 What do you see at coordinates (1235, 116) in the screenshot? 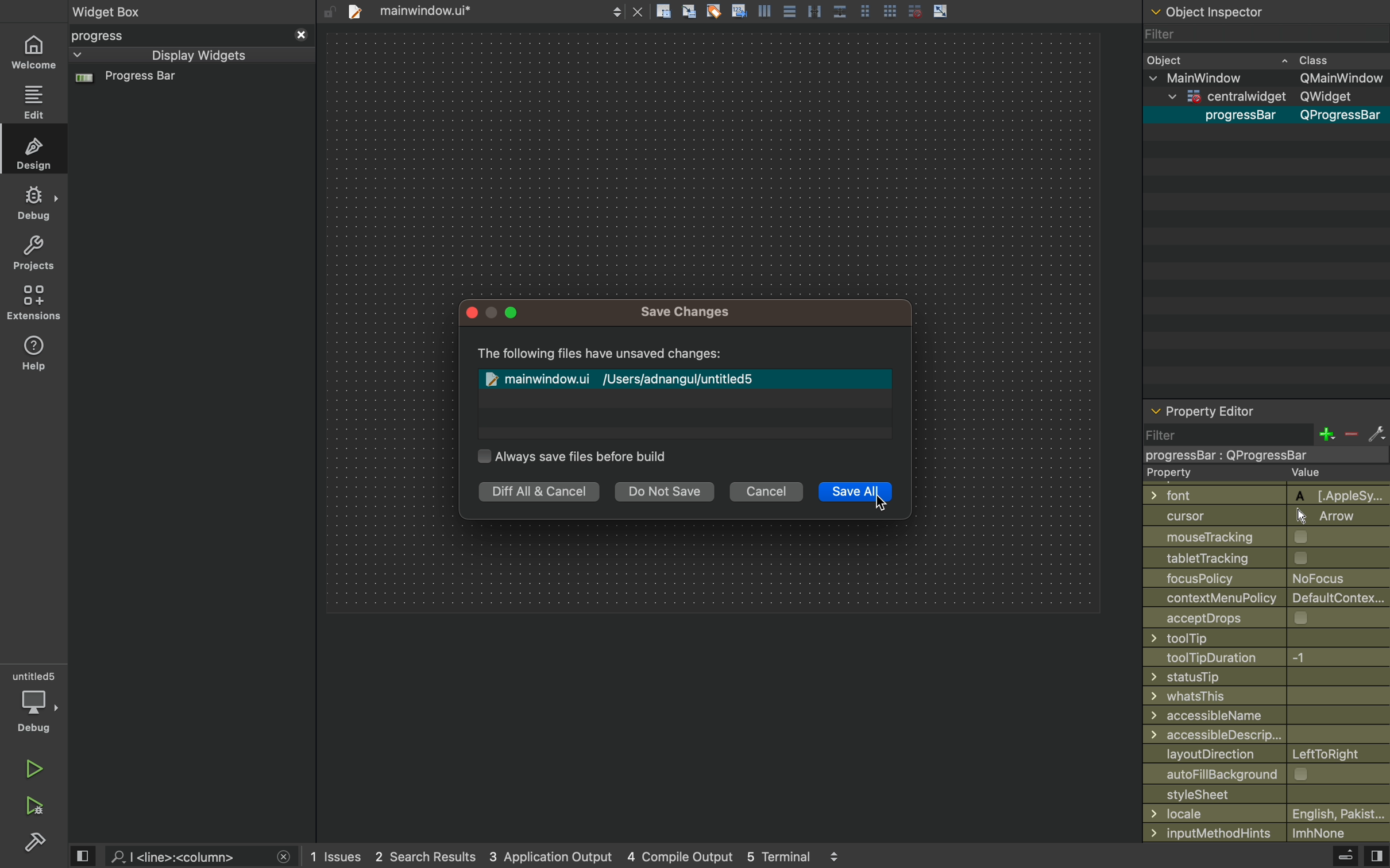
I see `ProgressBar` at bounding box center [1235, 116].